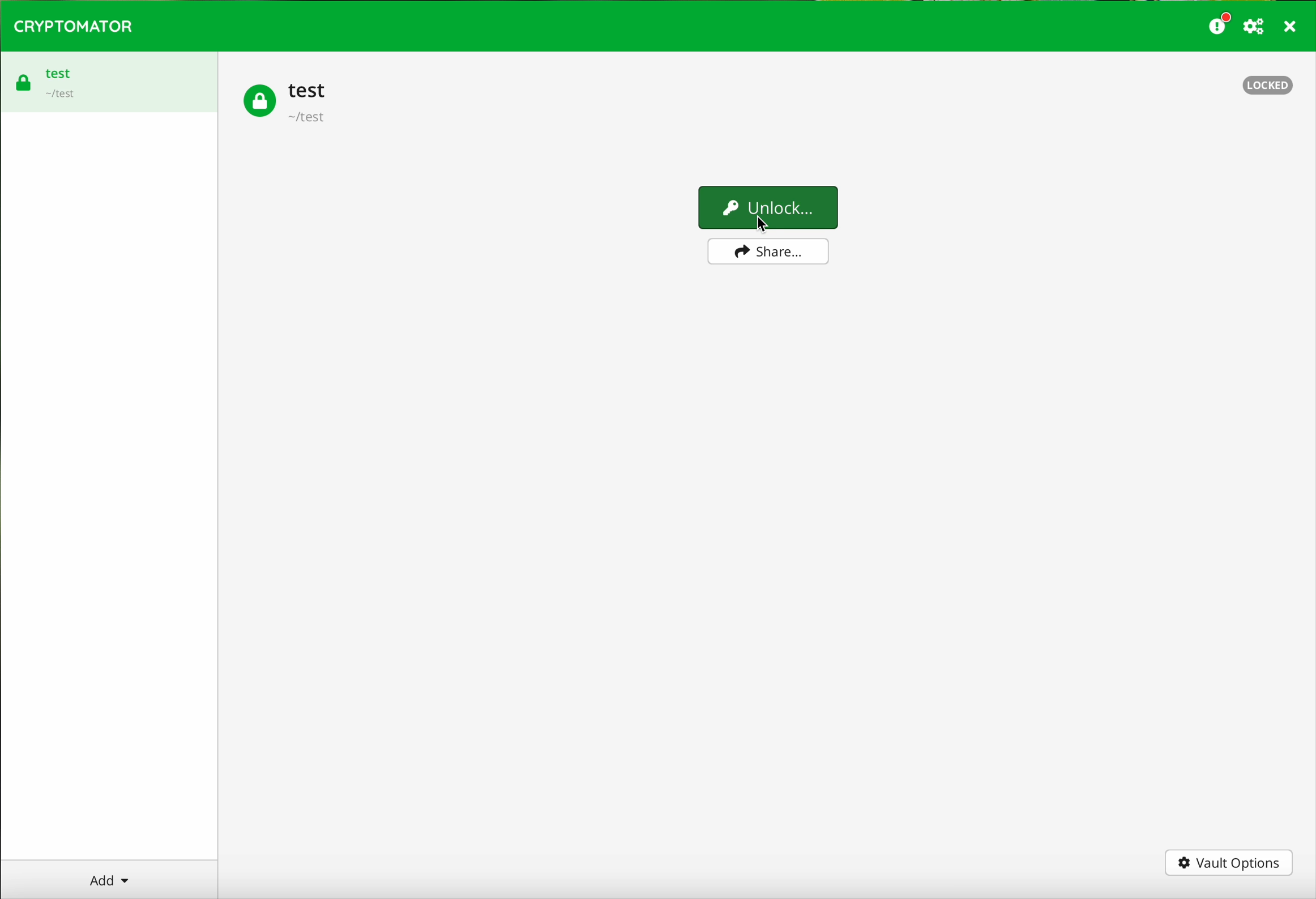 This screenshot has height=899, width=1316. What do you see at coordinates (1220, 23) in the screenshot?
I see `donate` at bounding box center [1220, 23].